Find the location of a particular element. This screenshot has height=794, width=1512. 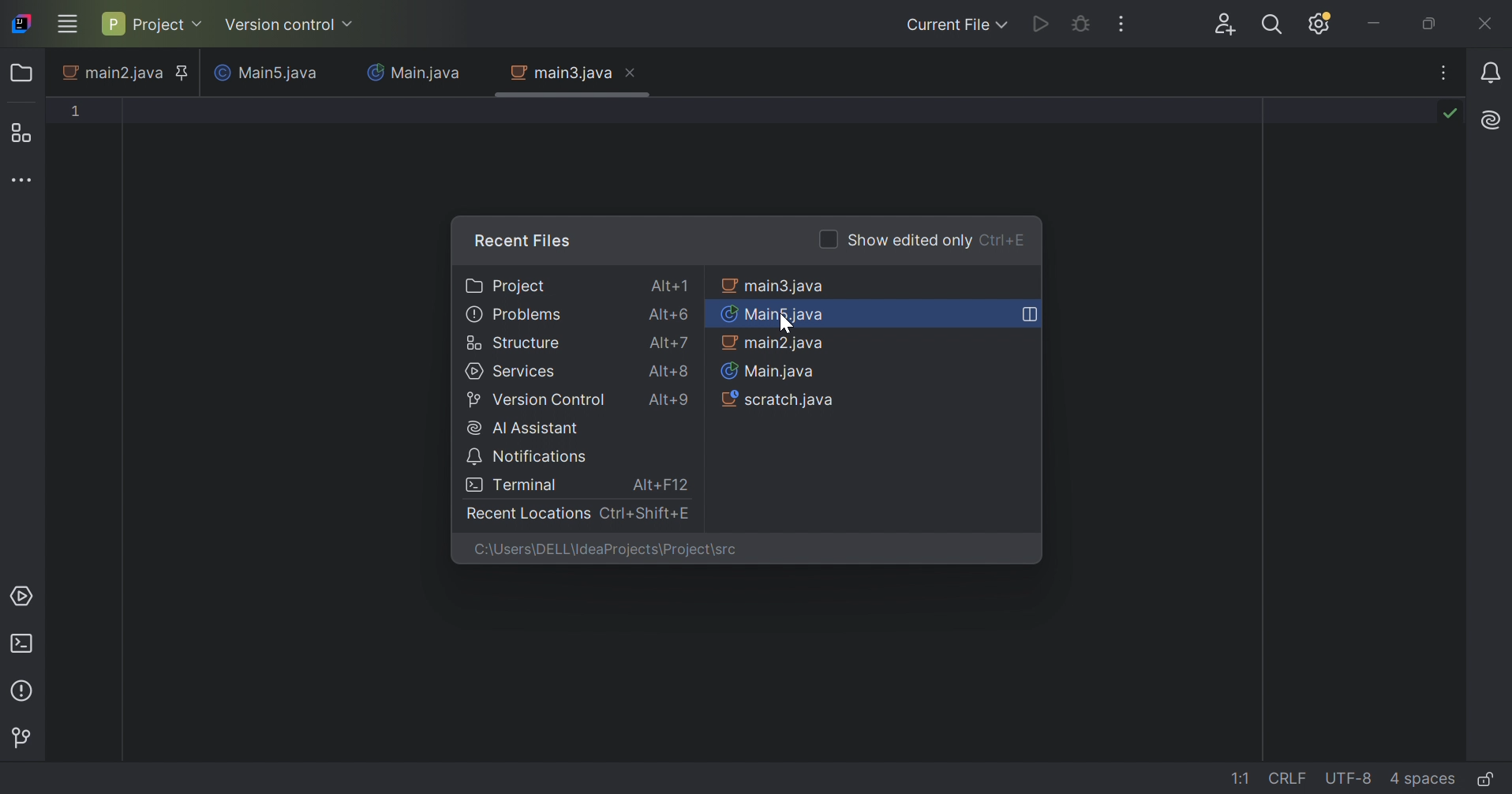

Recent files, tab actions, and more is located at coordinates (1445, 73).